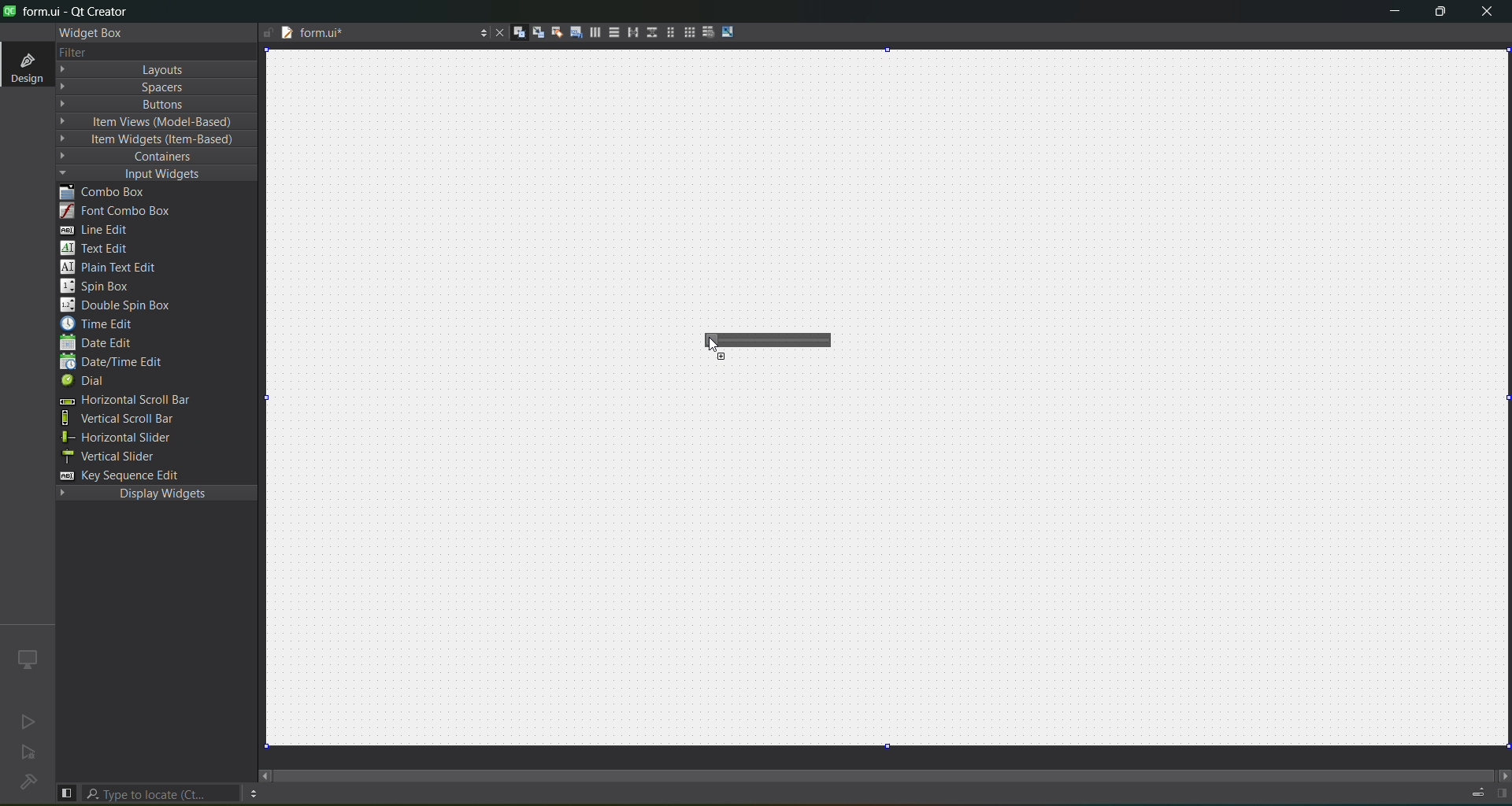  I want to click on horizontal slider, so click(776, 340).